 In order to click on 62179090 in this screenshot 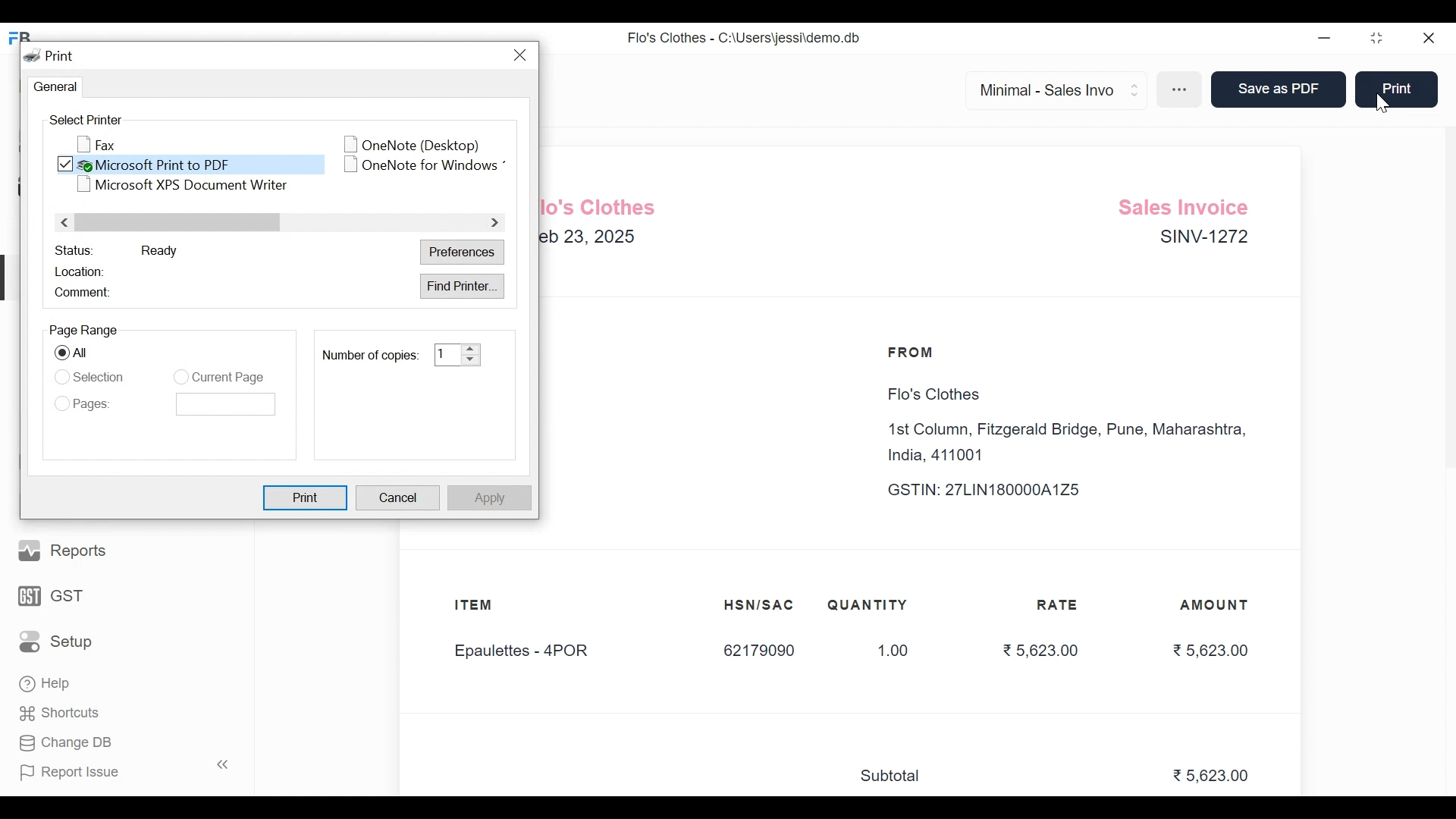, I will do `click(758, 651)`.